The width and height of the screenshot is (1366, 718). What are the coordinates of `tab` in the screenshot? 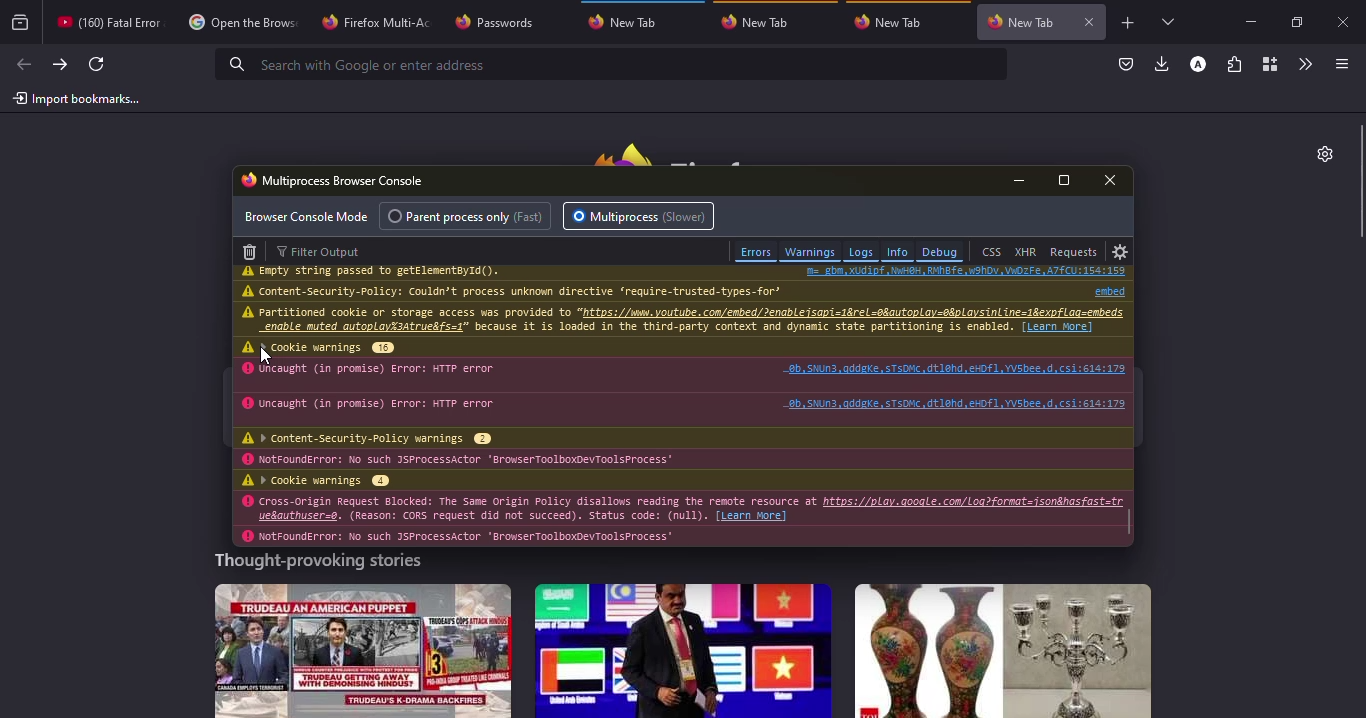 It's located at (106, 21).